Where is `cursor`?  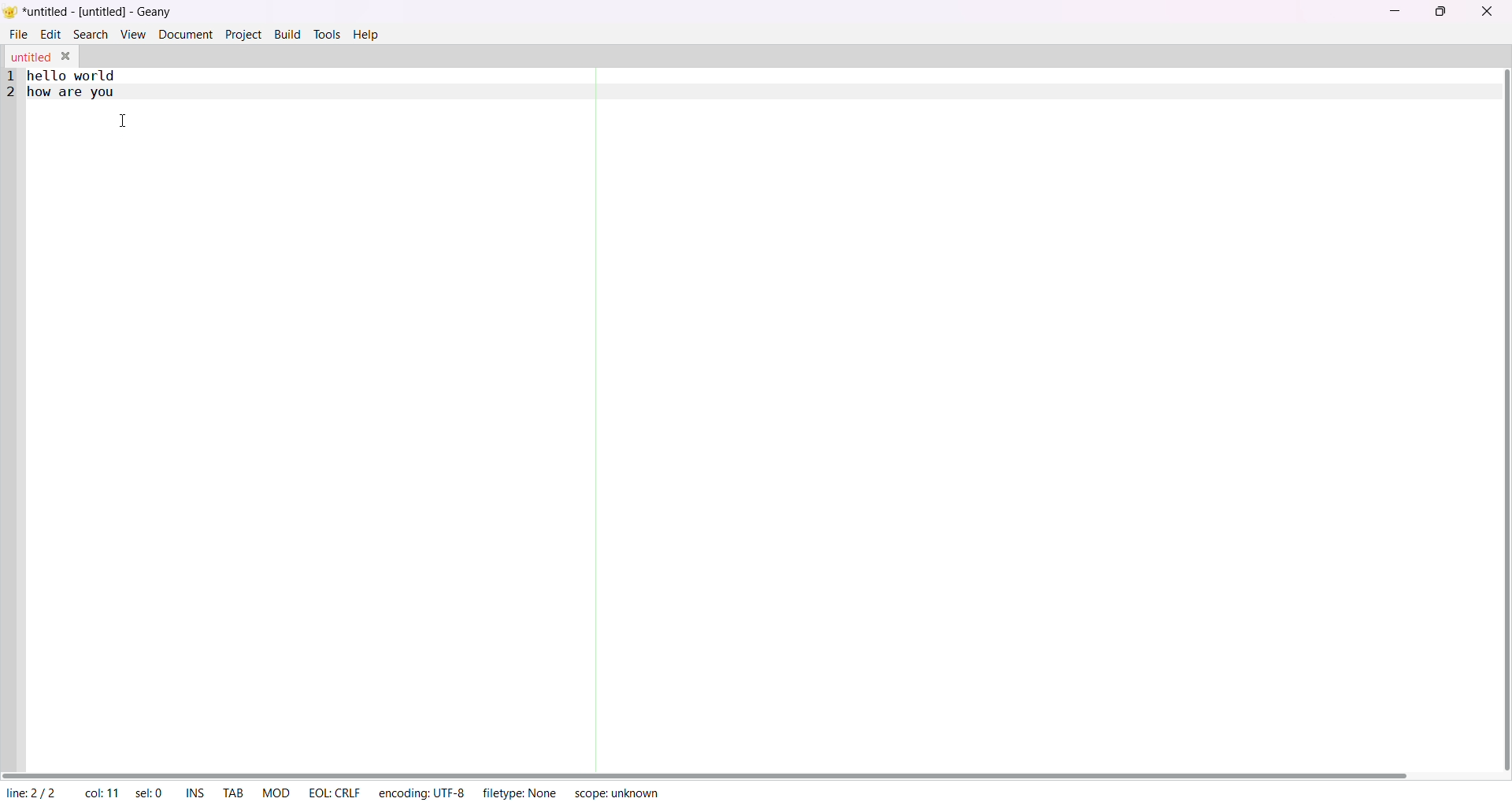 cursor is located at coordinates (124, 122).